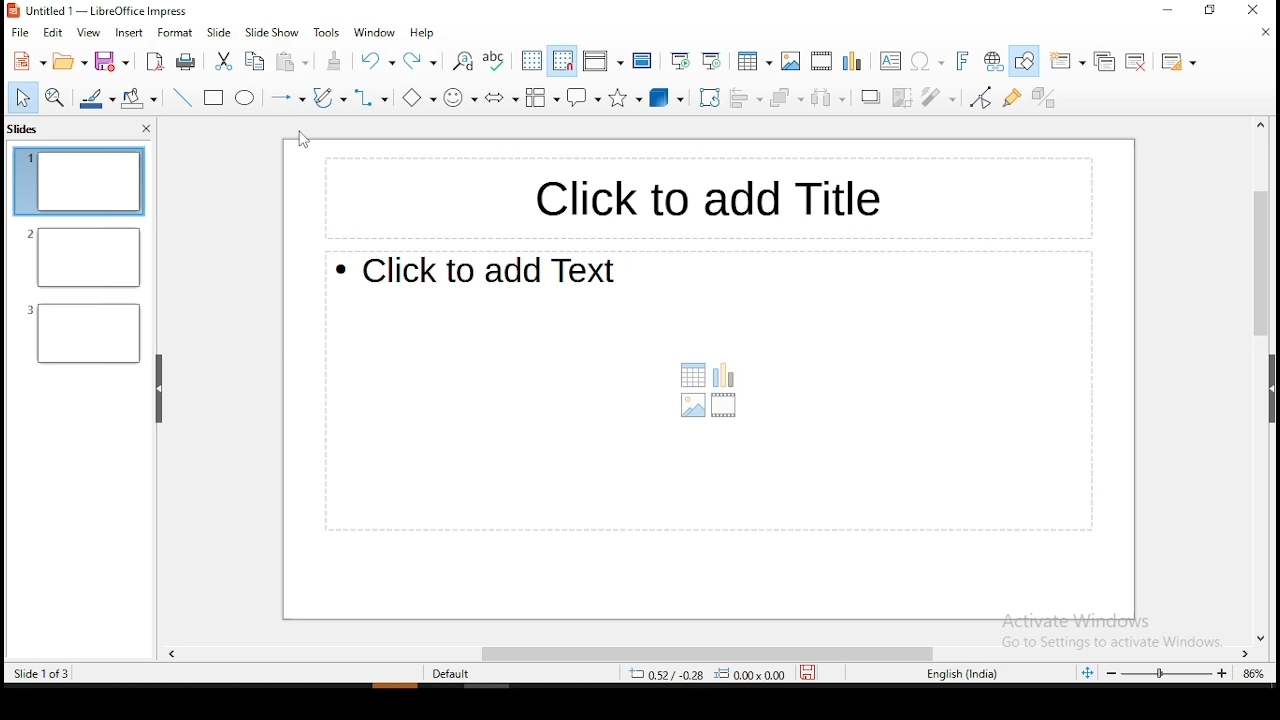  Describe the element at coordinates (808, 674) in the screenshot. I see `save` at that location.